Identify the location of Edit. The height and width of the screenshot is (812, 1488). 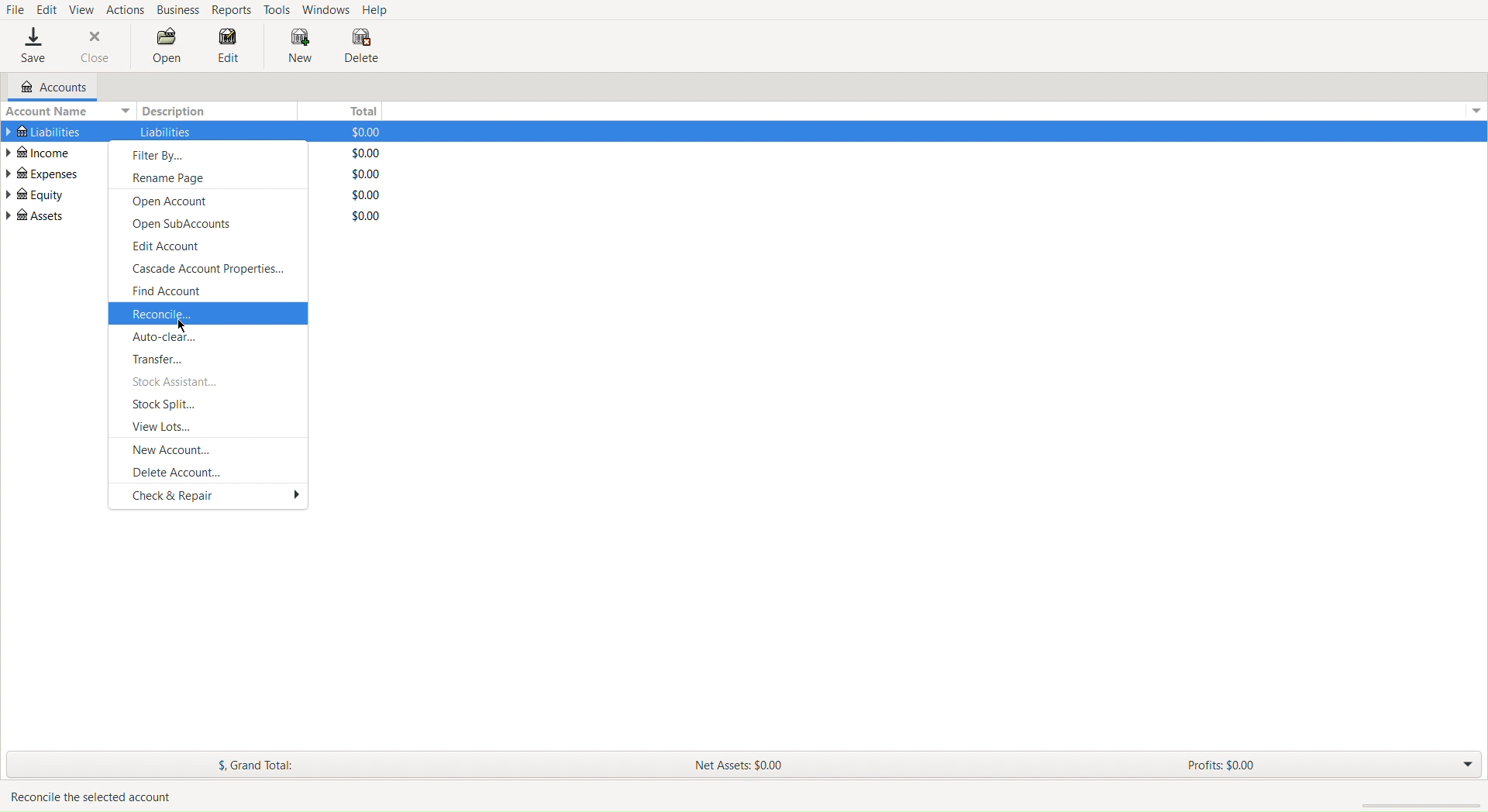
(232, 47).